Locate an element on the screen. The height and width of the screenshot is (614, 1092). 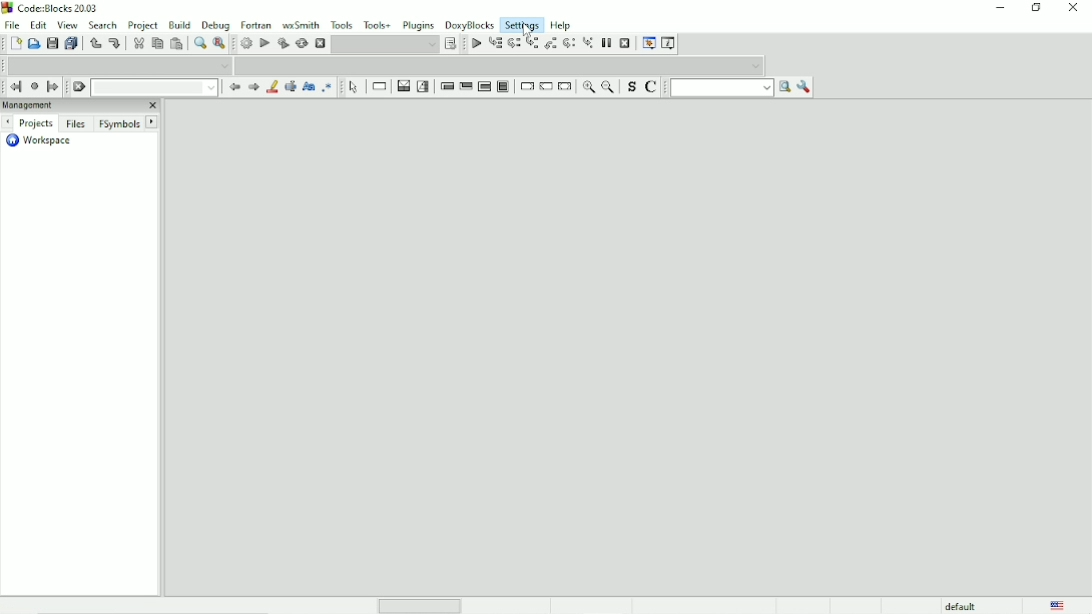
Paste is located at coordinates (176, 43).